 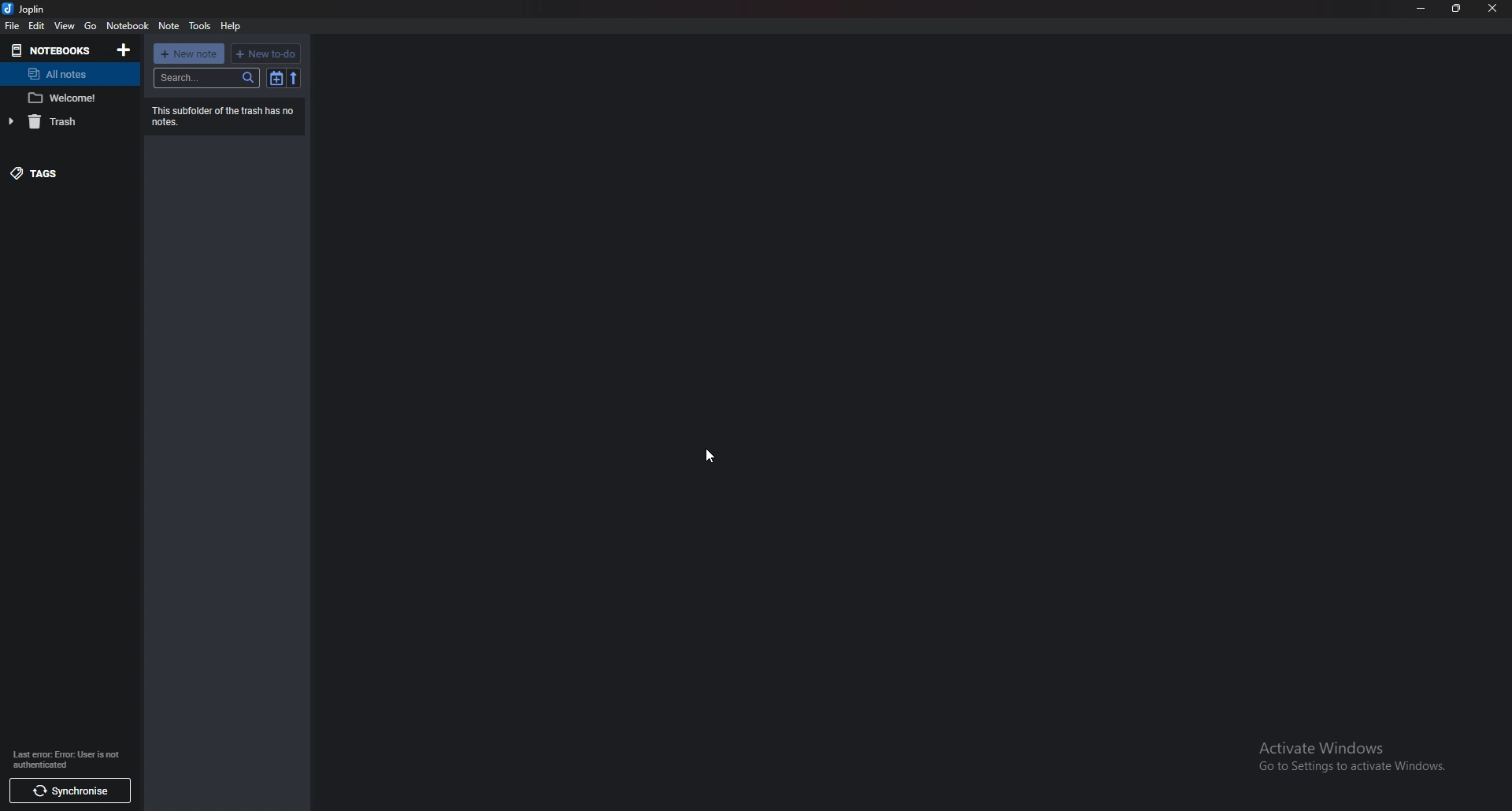 I want to click on info, so click(x=67, y=757).